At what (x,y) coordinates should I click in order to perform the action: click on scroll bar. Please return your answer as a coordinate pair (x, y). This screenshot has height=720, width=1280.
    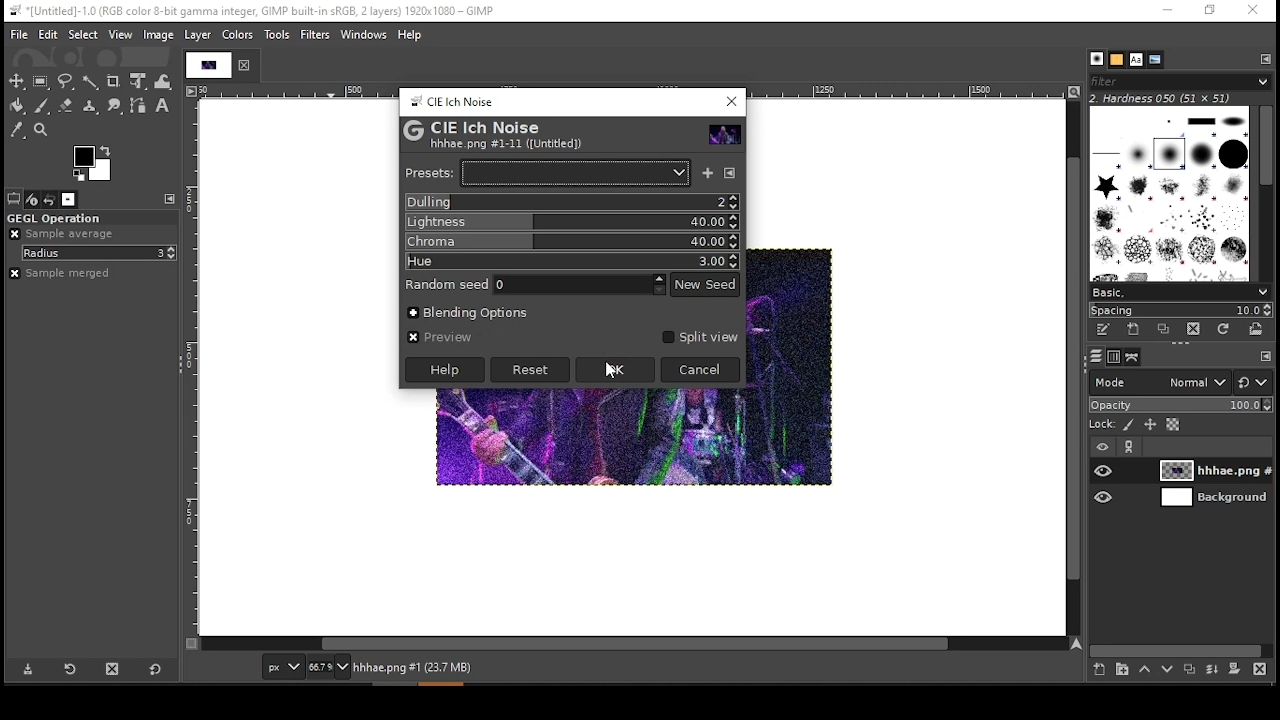
    Looking at the image, I should click on (1264, 193).